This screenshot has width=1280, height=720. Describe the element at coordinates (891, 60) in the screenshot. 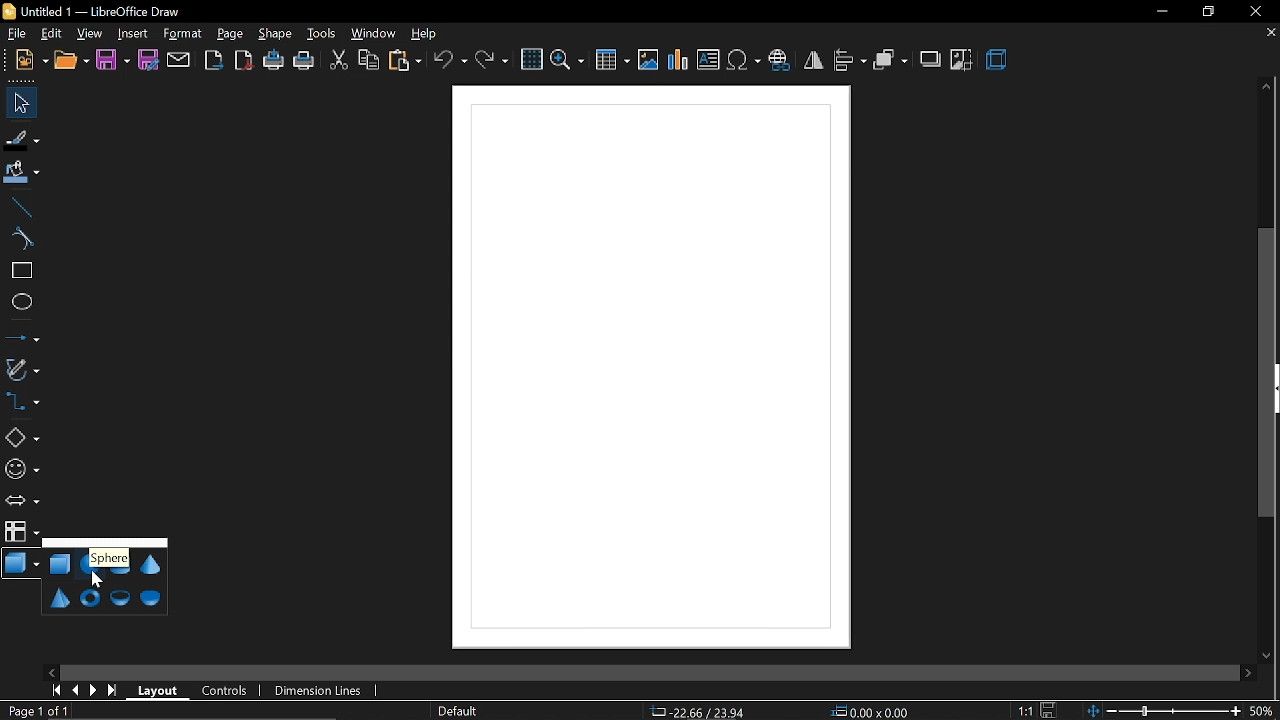

I see `arrange` at that location.